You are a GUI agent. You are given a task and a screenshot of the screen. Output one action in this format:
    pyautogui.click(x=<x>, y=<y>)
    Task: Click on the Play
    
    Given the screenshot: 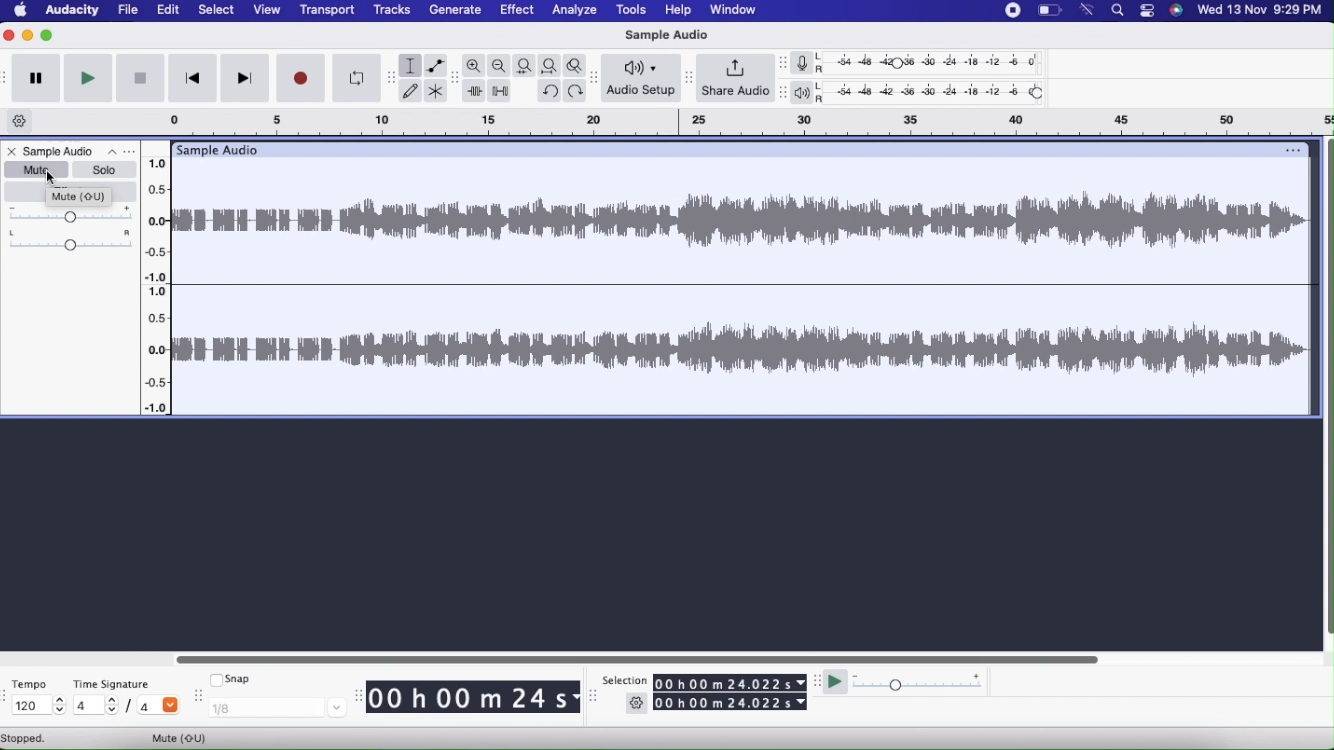 What is the action you would take?
    pyautogui.click(x=837, y=680)
    